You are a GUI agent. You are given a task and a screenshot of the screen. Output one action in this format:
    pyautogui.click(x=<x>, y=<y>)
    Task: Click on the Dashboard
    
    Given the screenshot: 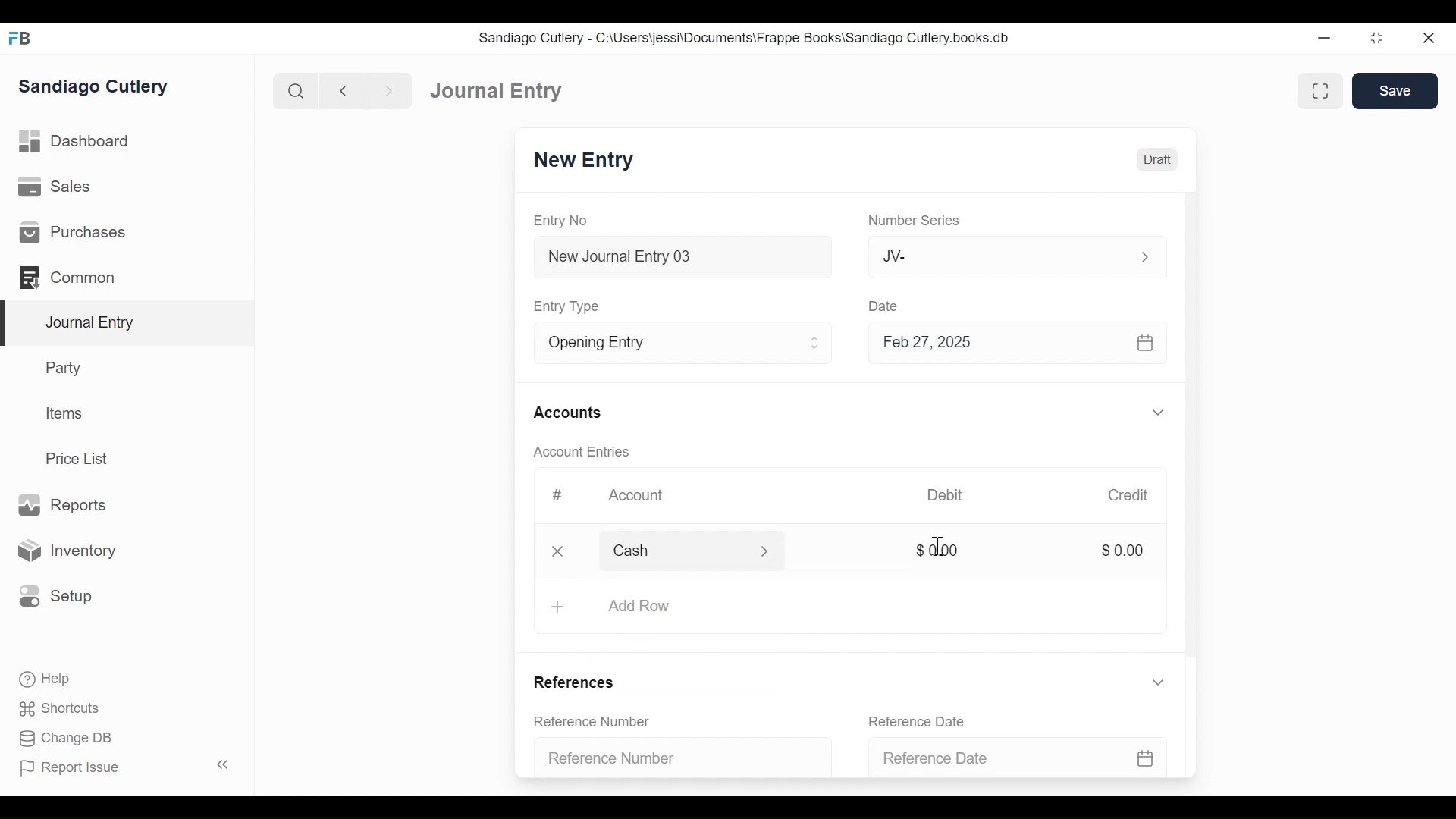 What is the action you would take?
    pyautogui.click(x=75, y=142)
    